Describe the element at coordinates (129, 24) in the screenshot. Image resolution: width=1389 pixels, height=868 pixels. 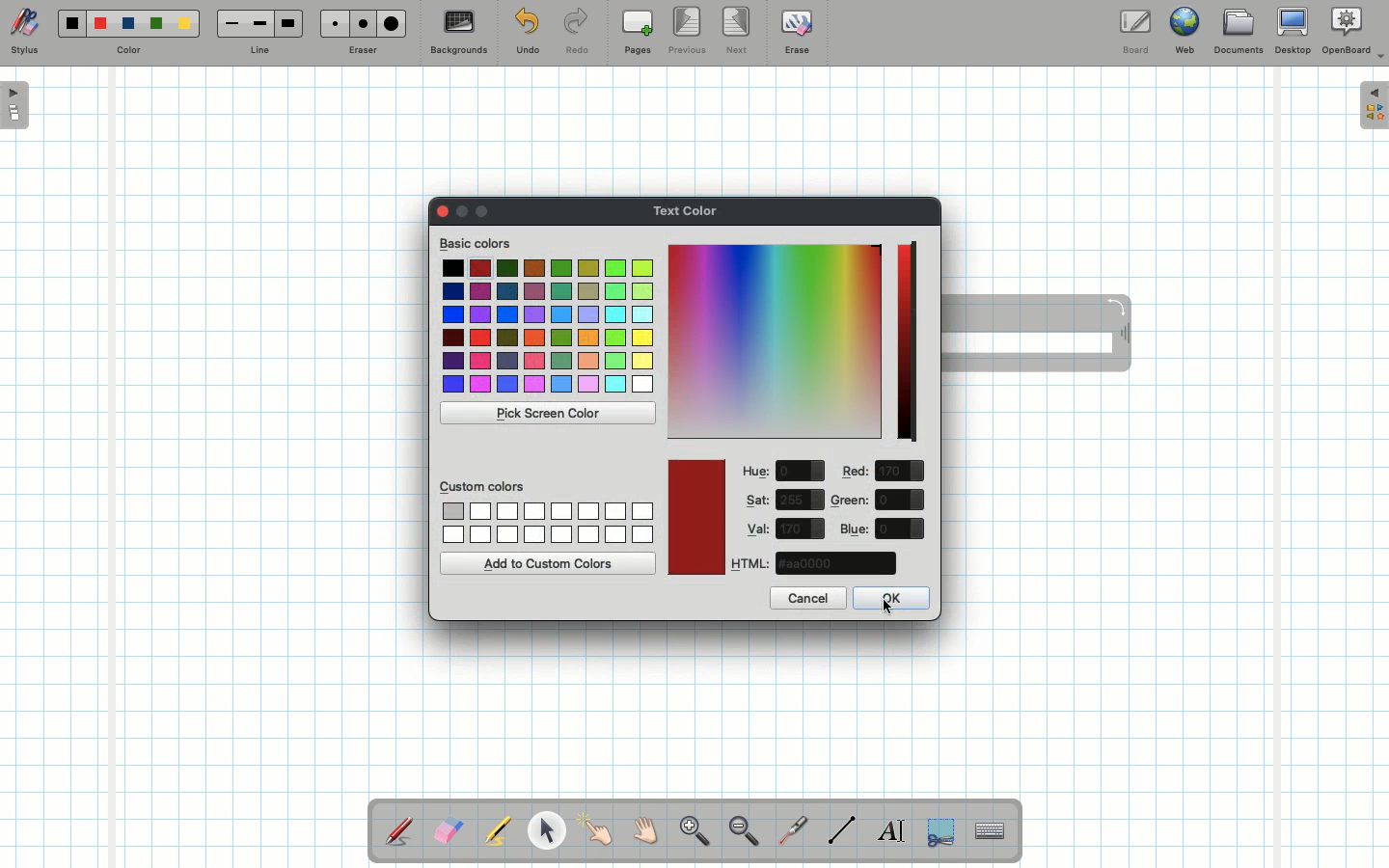
I see `Blue` at that location.